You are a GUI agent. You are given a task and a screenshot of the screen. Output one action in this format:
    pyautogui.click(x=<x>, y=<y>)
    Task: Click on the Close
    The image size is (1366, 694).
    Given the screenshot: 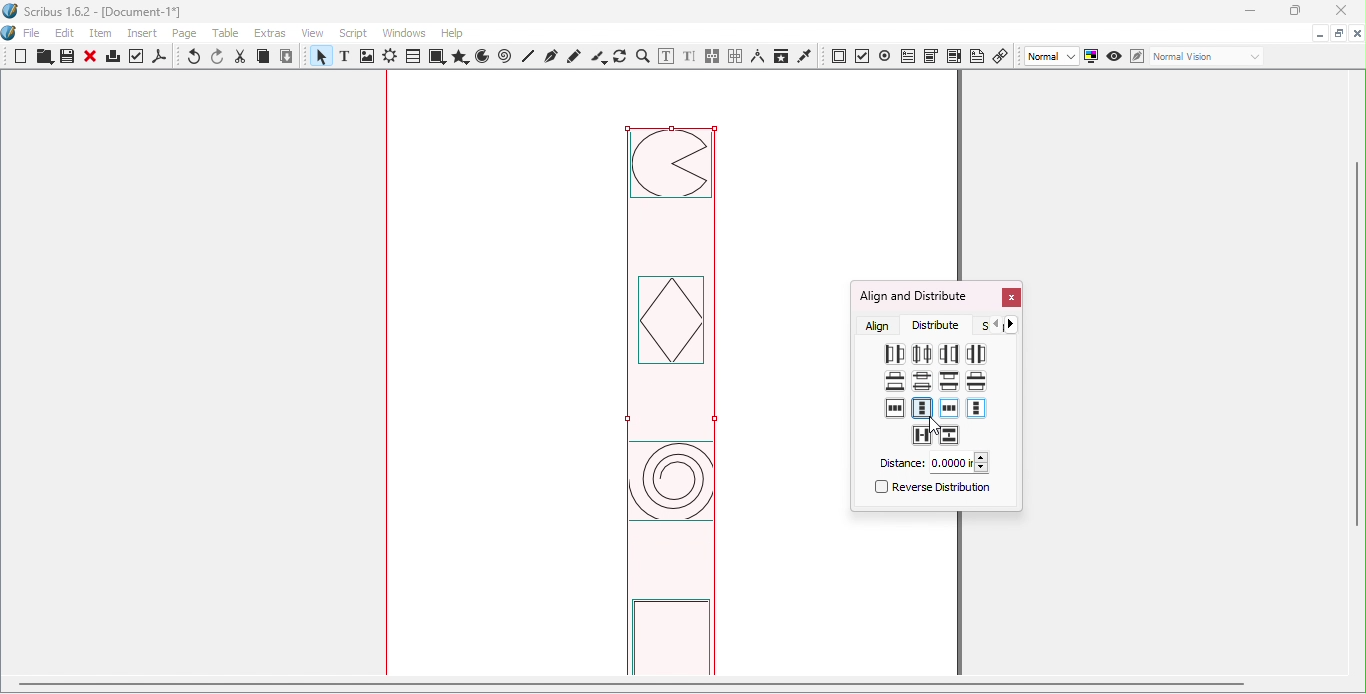 What is the action you would take?
    pyautogui.click(x=90, y=58)
    